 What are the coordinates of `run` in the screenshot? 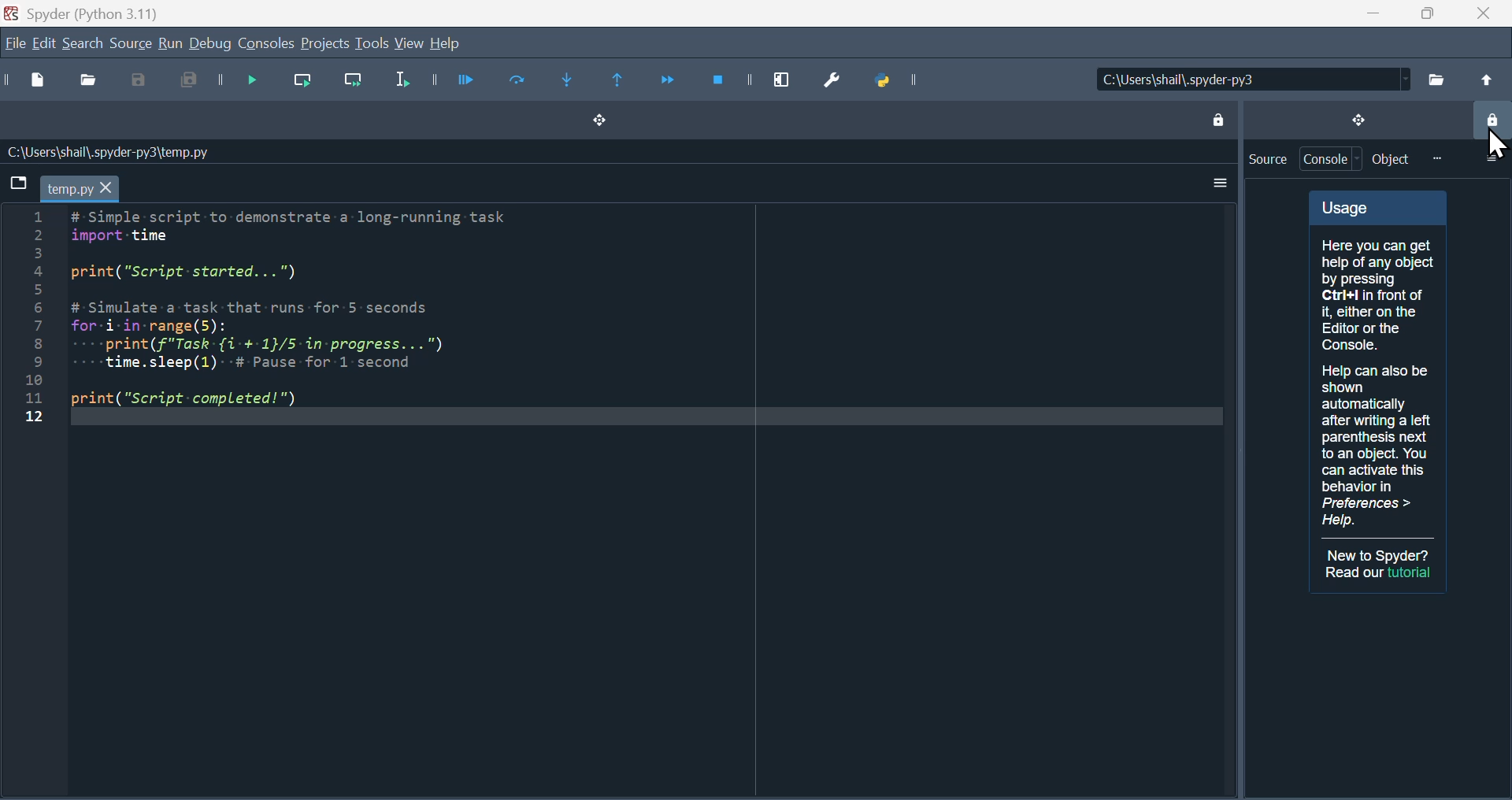 It's located at (169, 44).